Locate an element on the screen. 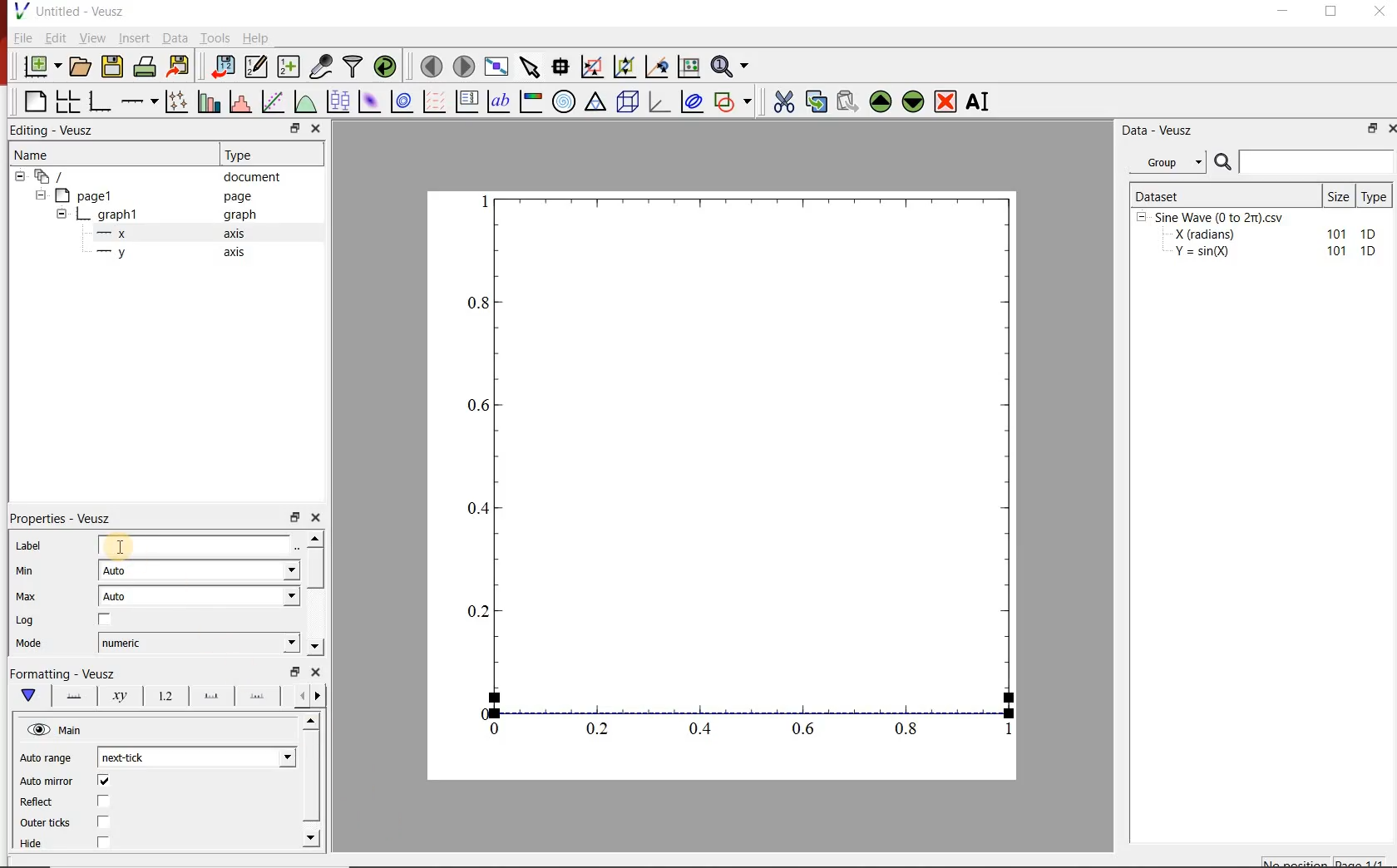 The width and height of the screenshot is (1397, 868). Close is located at coordinates (1389, 131).